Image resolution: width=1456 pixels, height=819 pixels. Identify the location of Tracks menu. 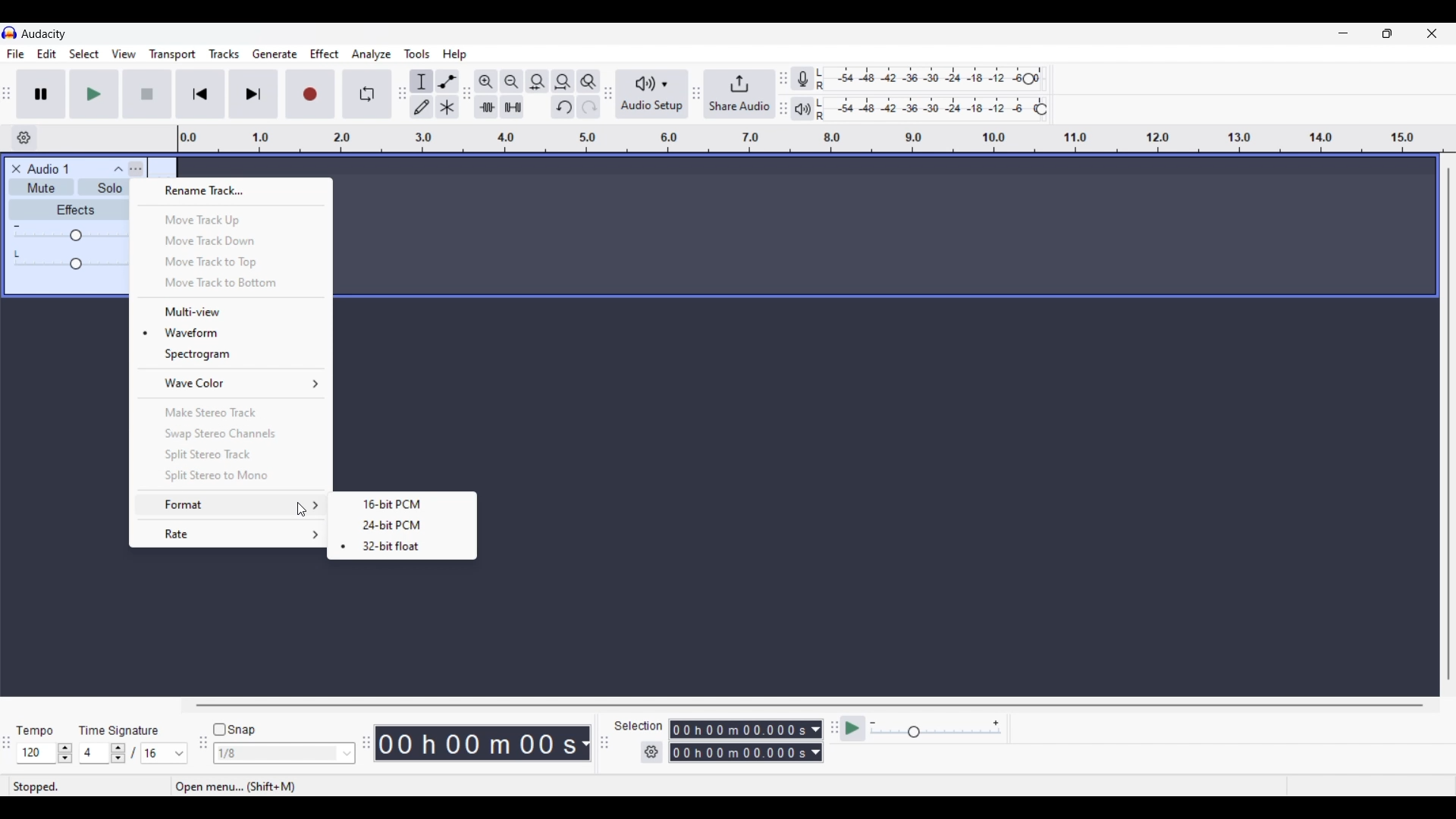
(224, 54).